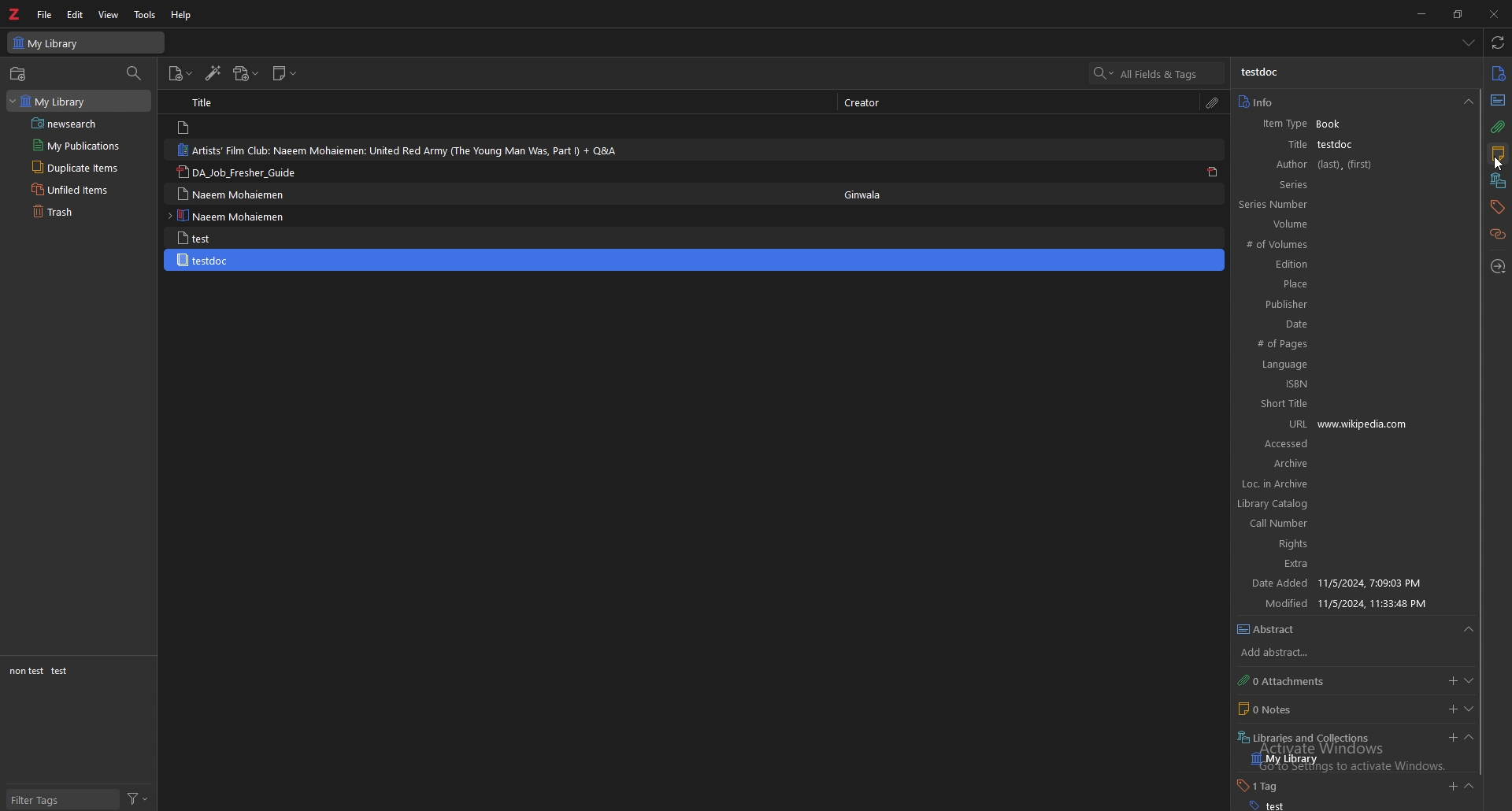 This screenshot has height=811, width=1512. Describe the element at coordinates (135, 73) in the screenshot. I see `filter collections` at that location.